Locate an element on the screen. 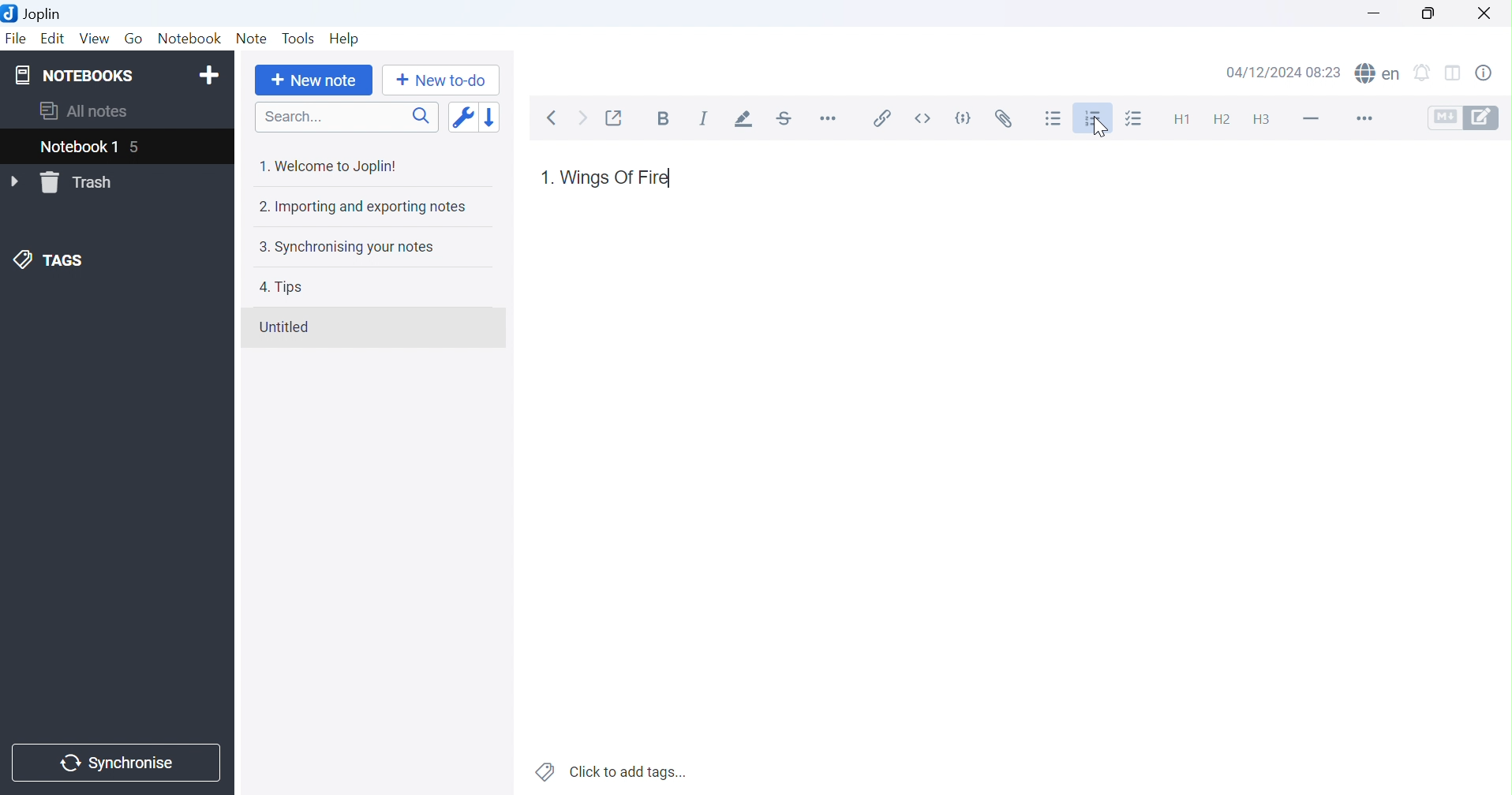  Checkbox list is located at coordinates (1138, 118).